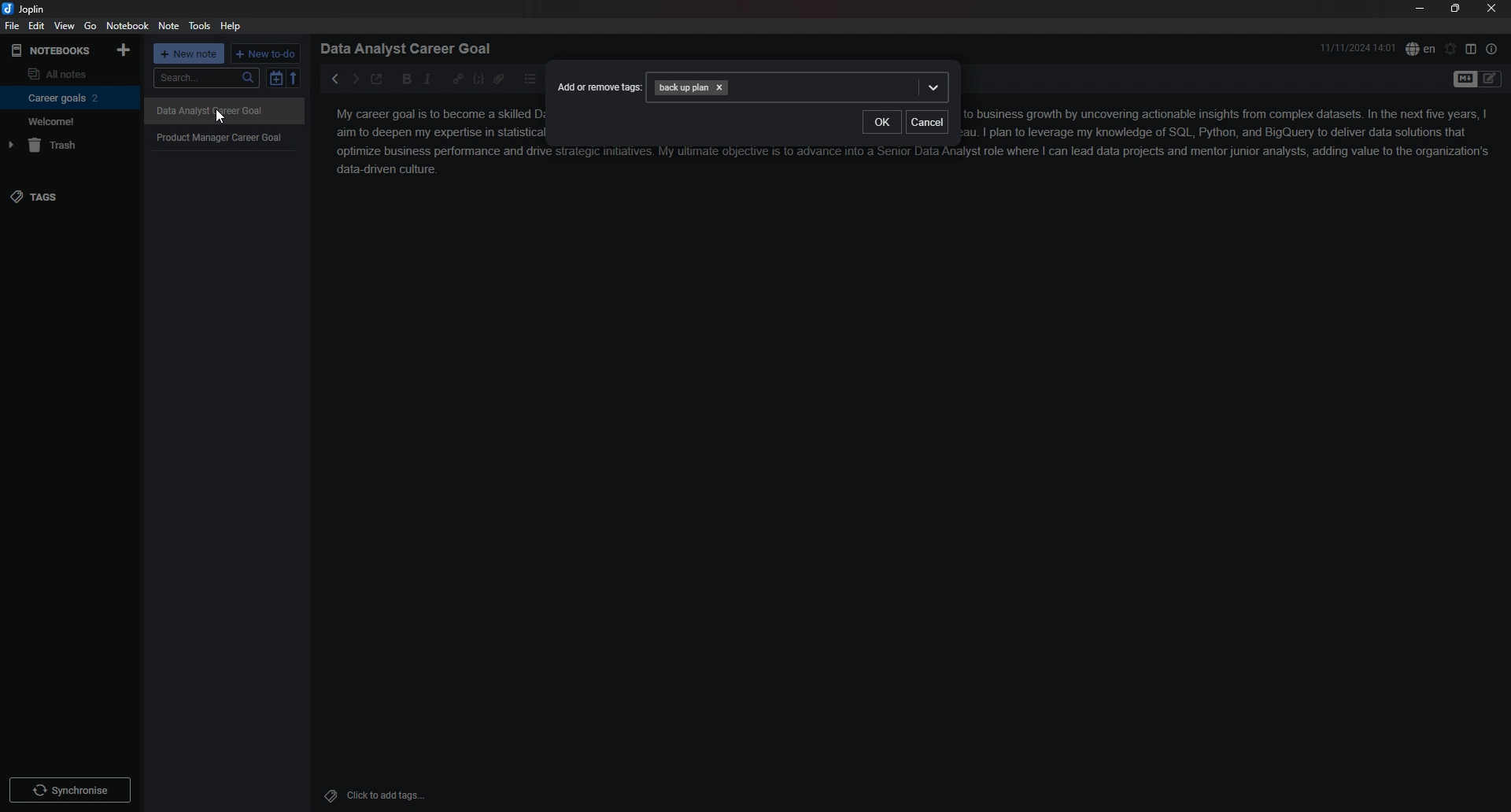  What do you see at coordinates (881, 123) in the screenshot?
I see `OK` at bounding box center [881, 123].